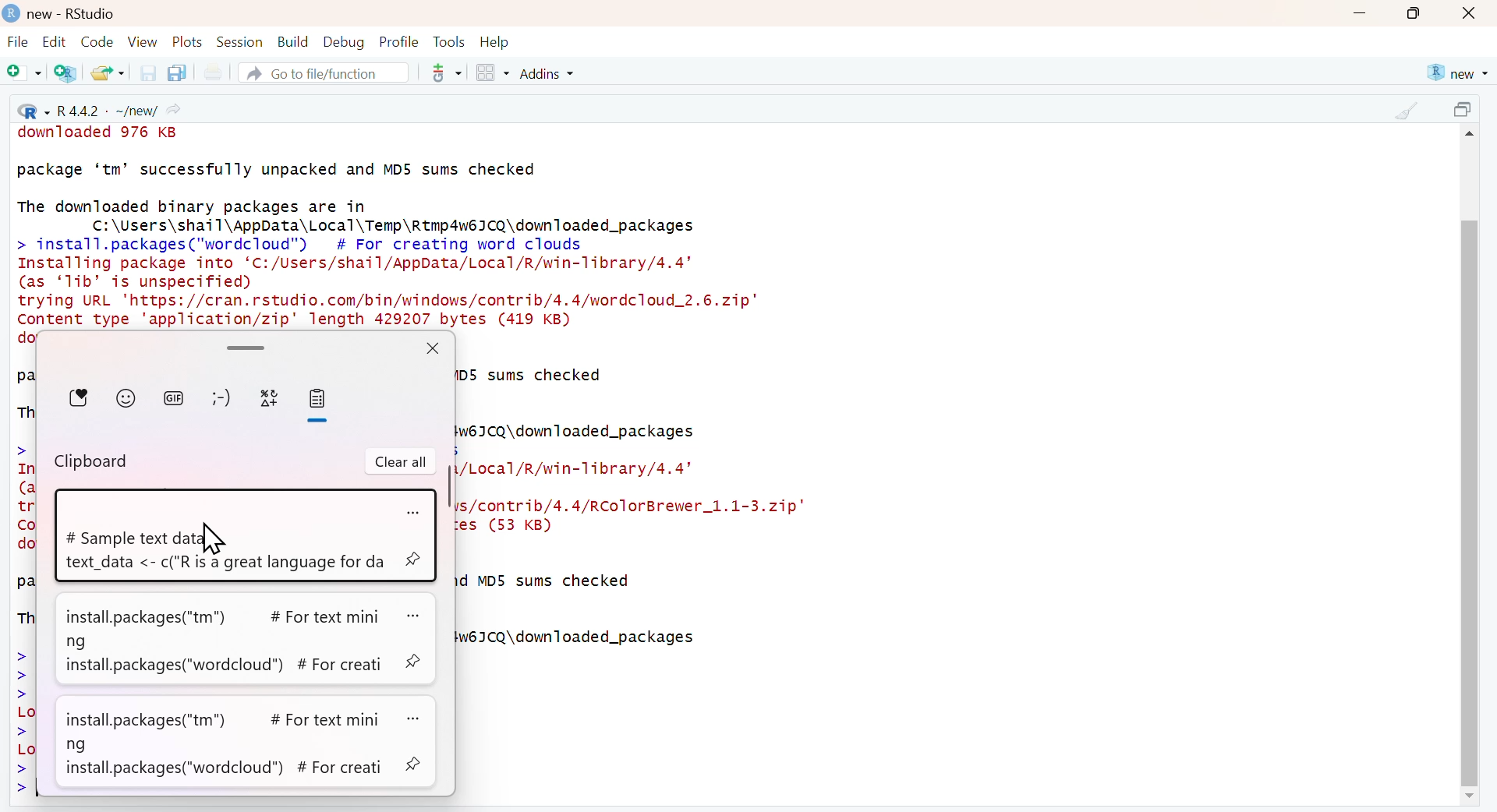 This screenshot has width=1497, height=812. What do you see at coordinates (217, 72) in the screenshot?
I see `Print` at bounding box center [217, 72].